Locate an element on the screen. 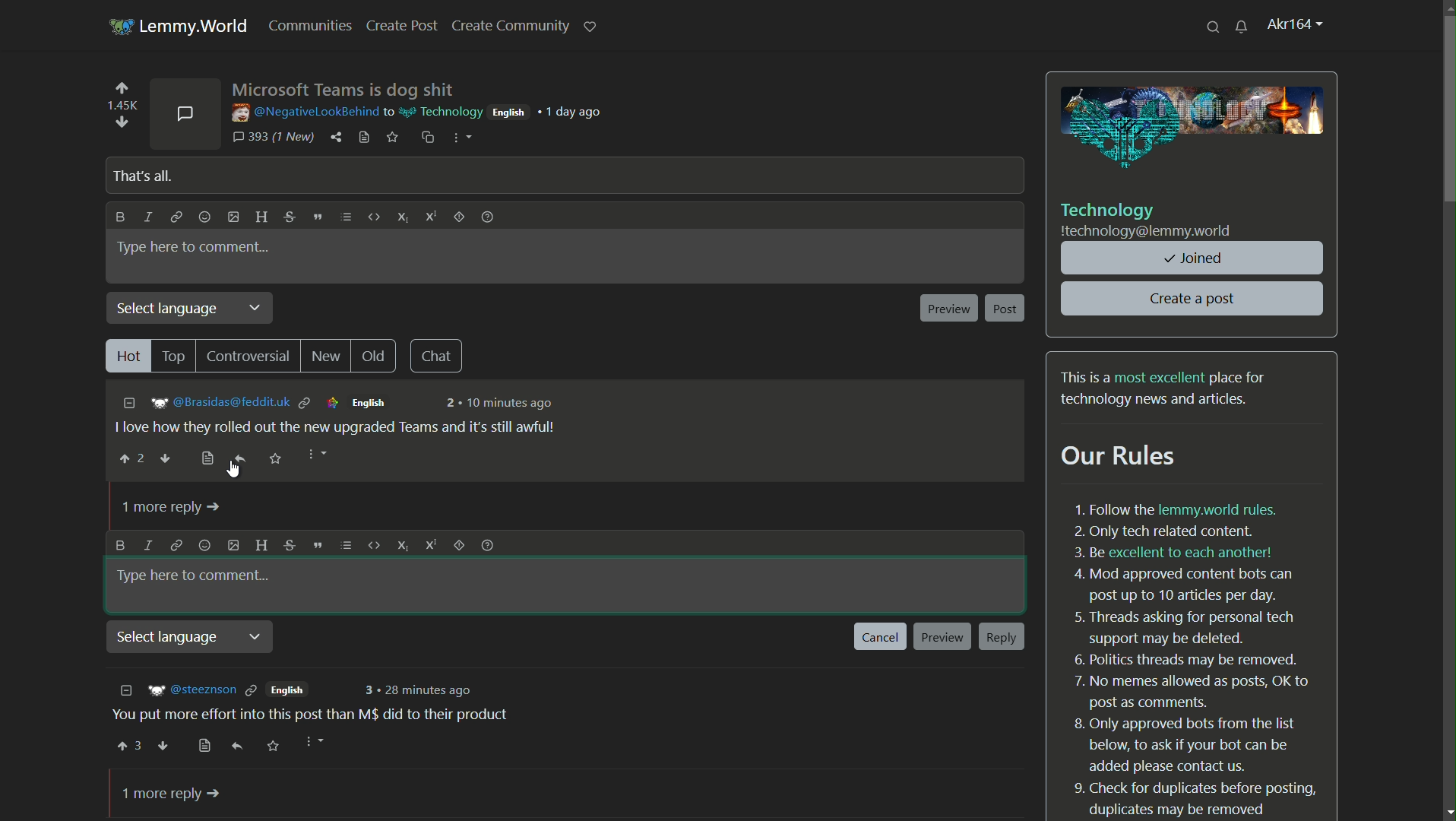 The height and width of the screenshot is (821, 1456). subscript is located at coordinates (403, 216).